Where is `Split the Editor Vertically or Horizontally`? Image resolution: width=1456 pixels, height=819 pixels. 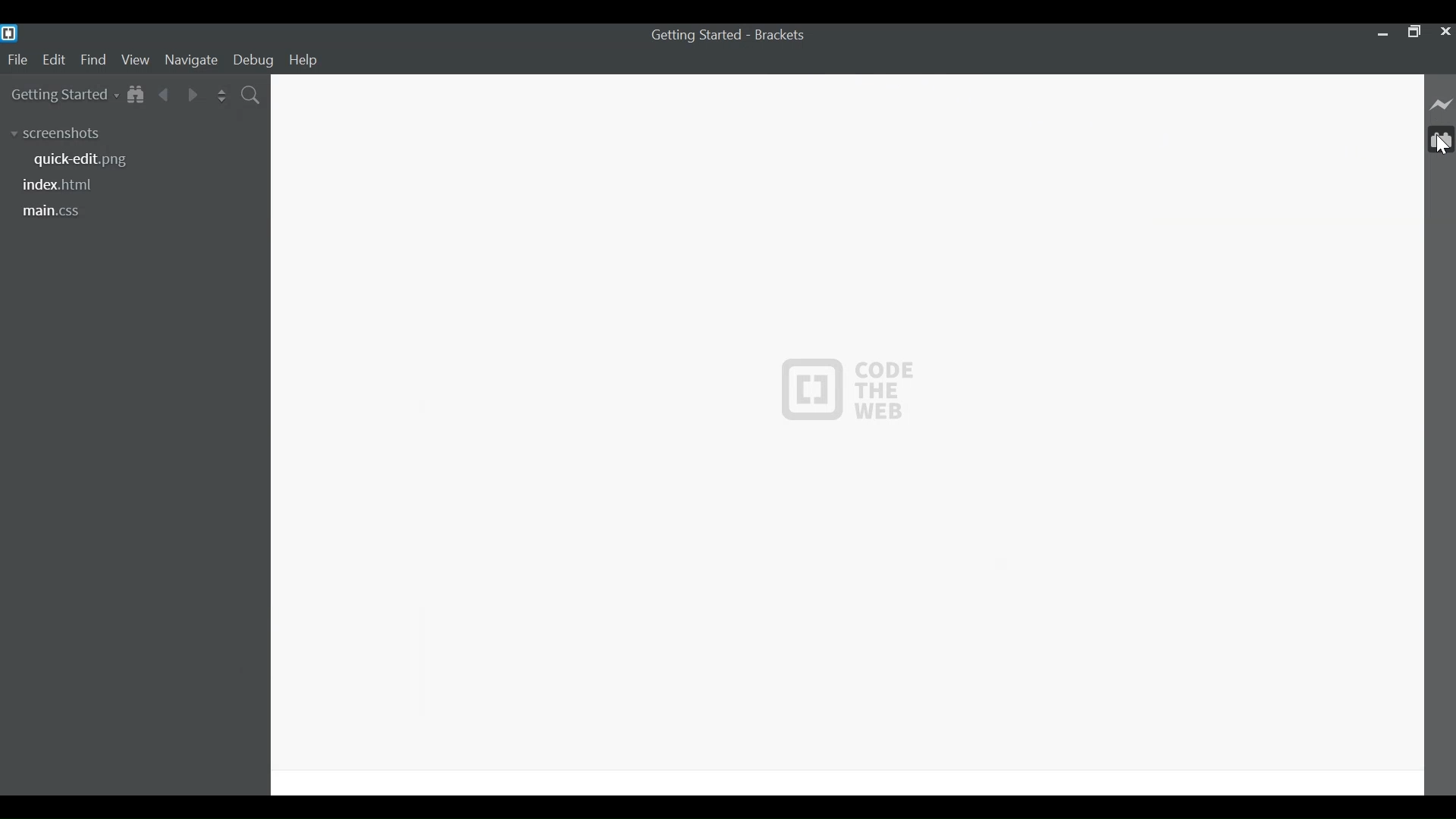
Split the Editor Vertically or Horizontally is located at coordinates (222, 94).